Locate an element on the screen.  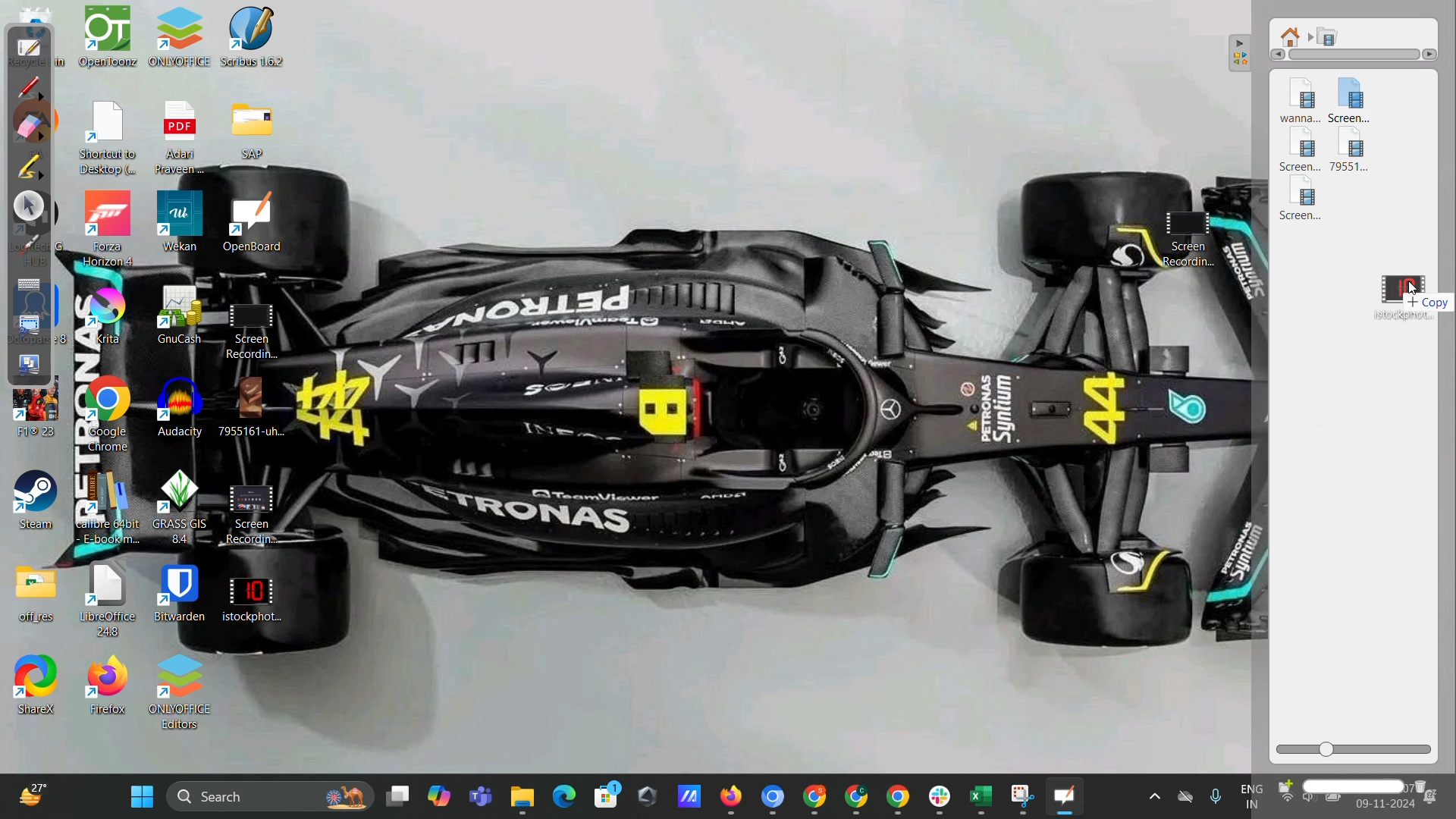
annotate document is located at coordinates (33, 86).